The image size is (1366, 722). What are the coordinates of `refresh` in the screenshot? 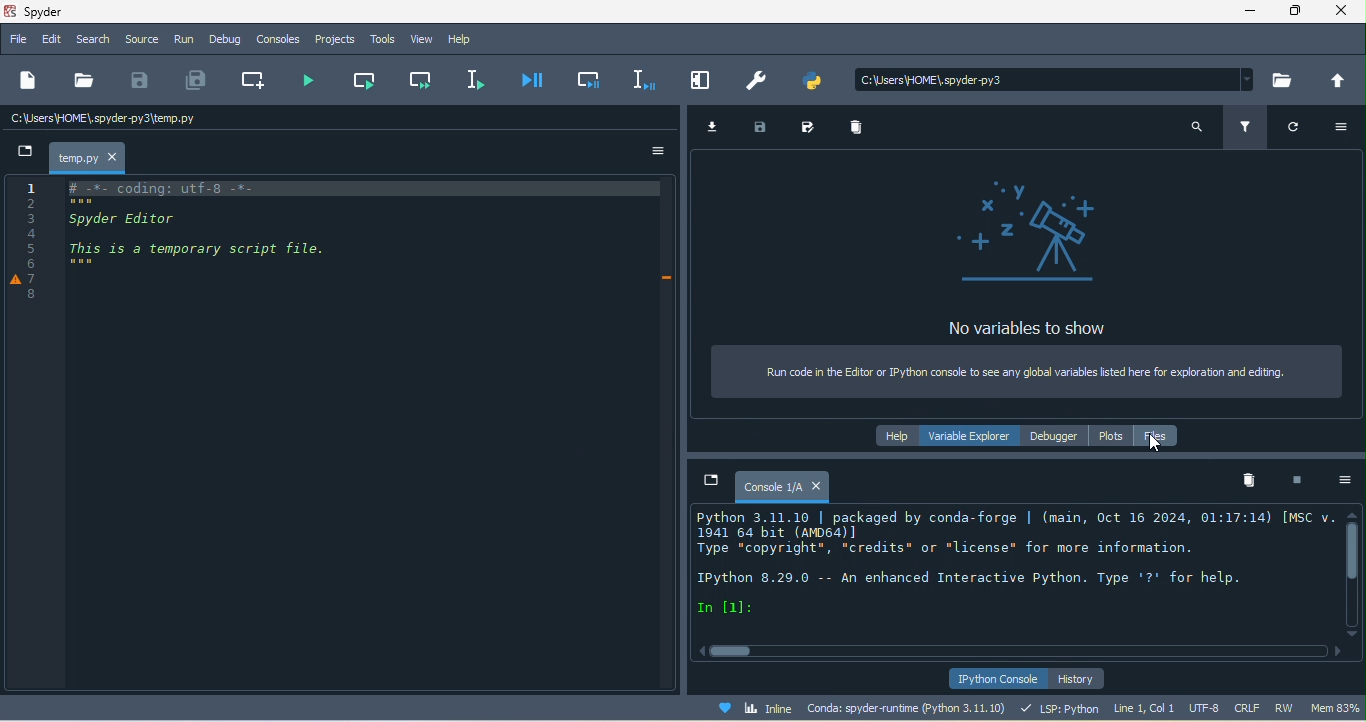 It's located at (1294, 126).